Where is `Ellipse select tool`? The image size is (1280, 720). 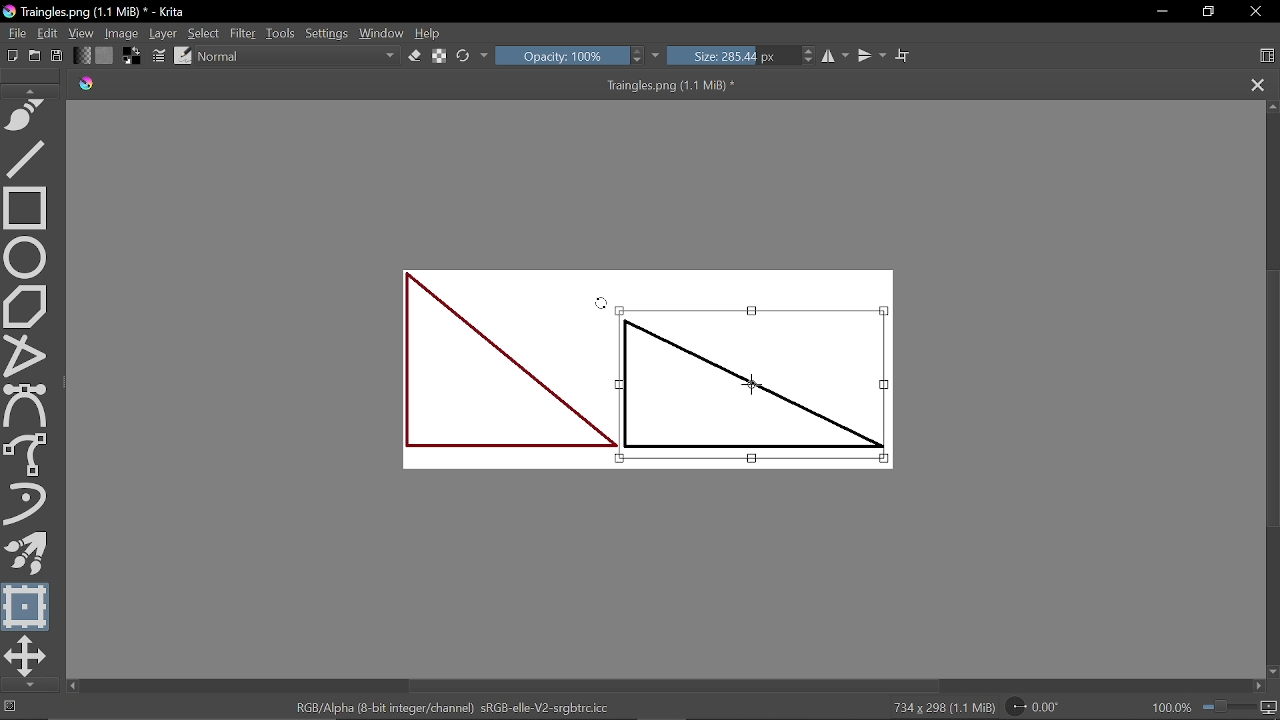
Ellipse select tool is located at coordinates (29, 255).